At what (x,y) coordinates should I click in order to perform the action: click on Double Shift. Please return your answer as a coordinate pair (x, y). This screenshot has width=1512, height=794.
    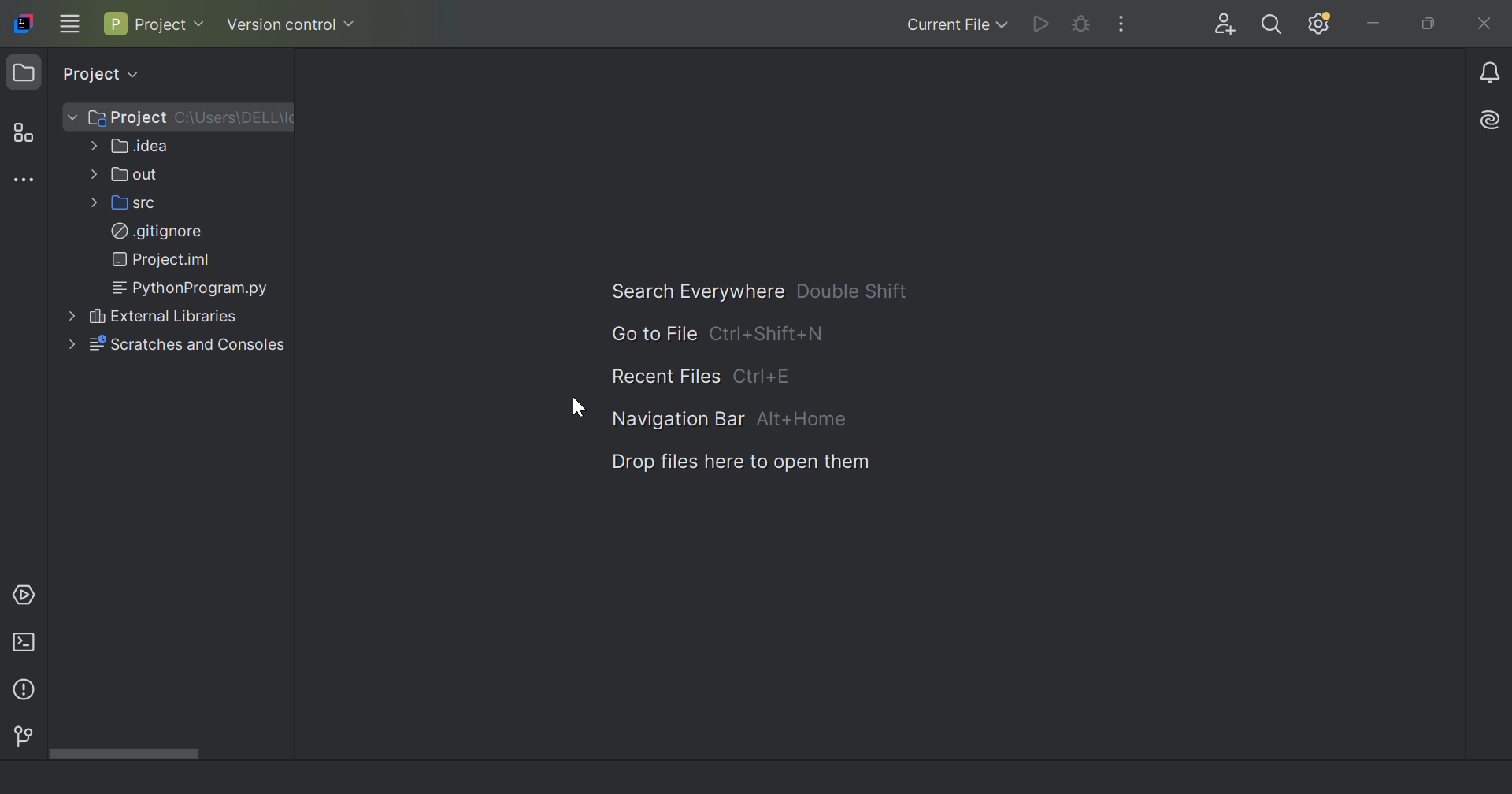
    Looking at the image, I should click on (855, 290).